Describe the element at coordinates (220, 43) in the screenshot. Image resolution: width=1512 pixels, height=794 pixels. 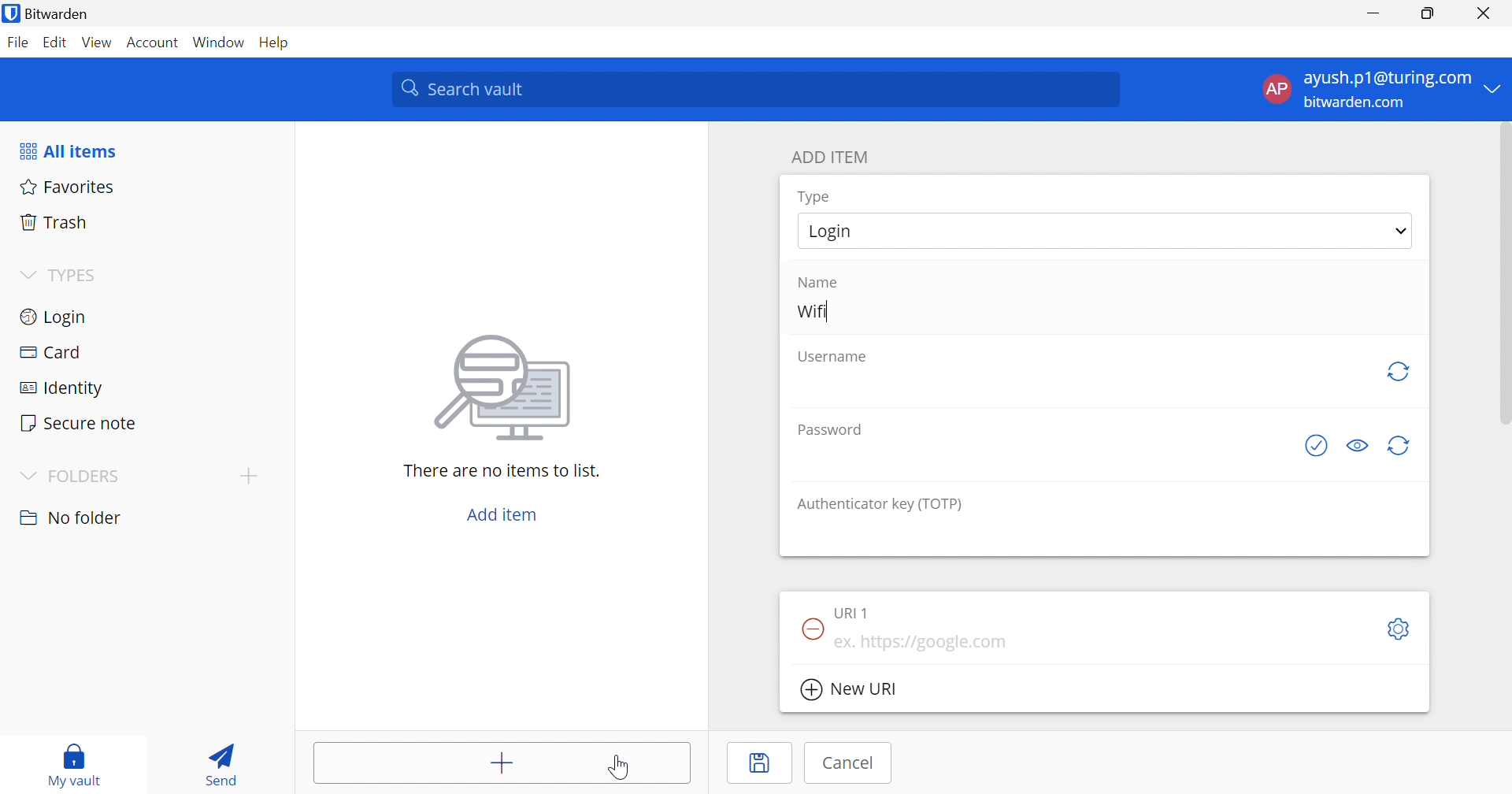
I see `Window` at that location.